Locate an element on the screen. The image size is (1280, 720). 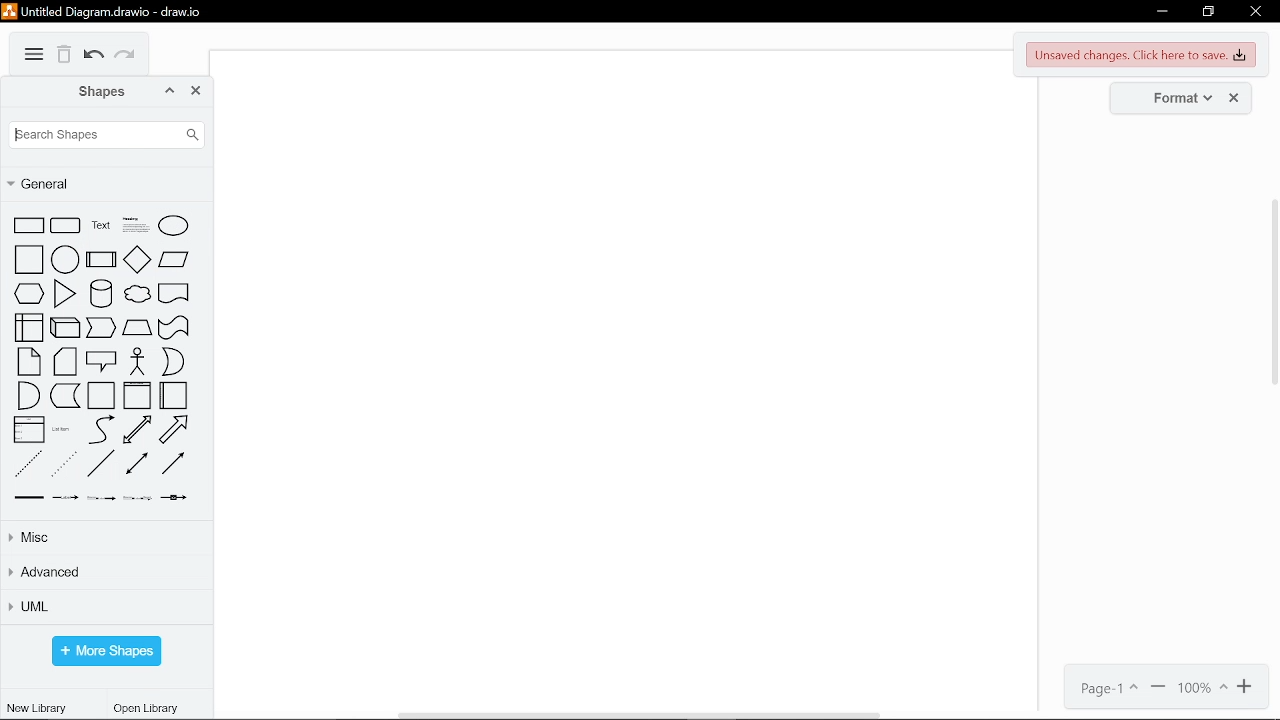
text is located at coordinates (99, 227).